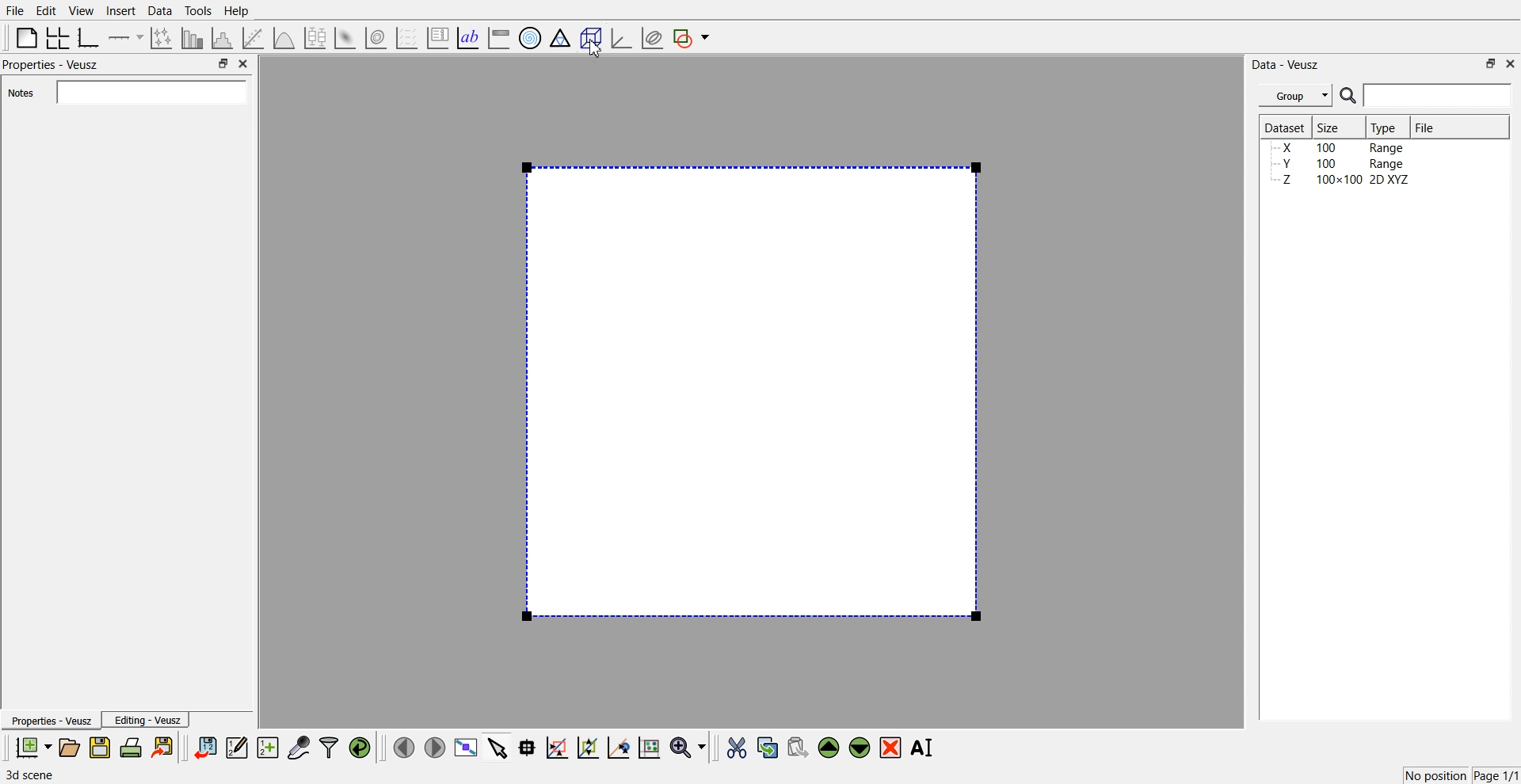 This screenshot has height=784, width=1521. What do you see at coordinates (528, 747) in the screenshot?
I see `Read data points from graph` at bounding box center [528, 747].